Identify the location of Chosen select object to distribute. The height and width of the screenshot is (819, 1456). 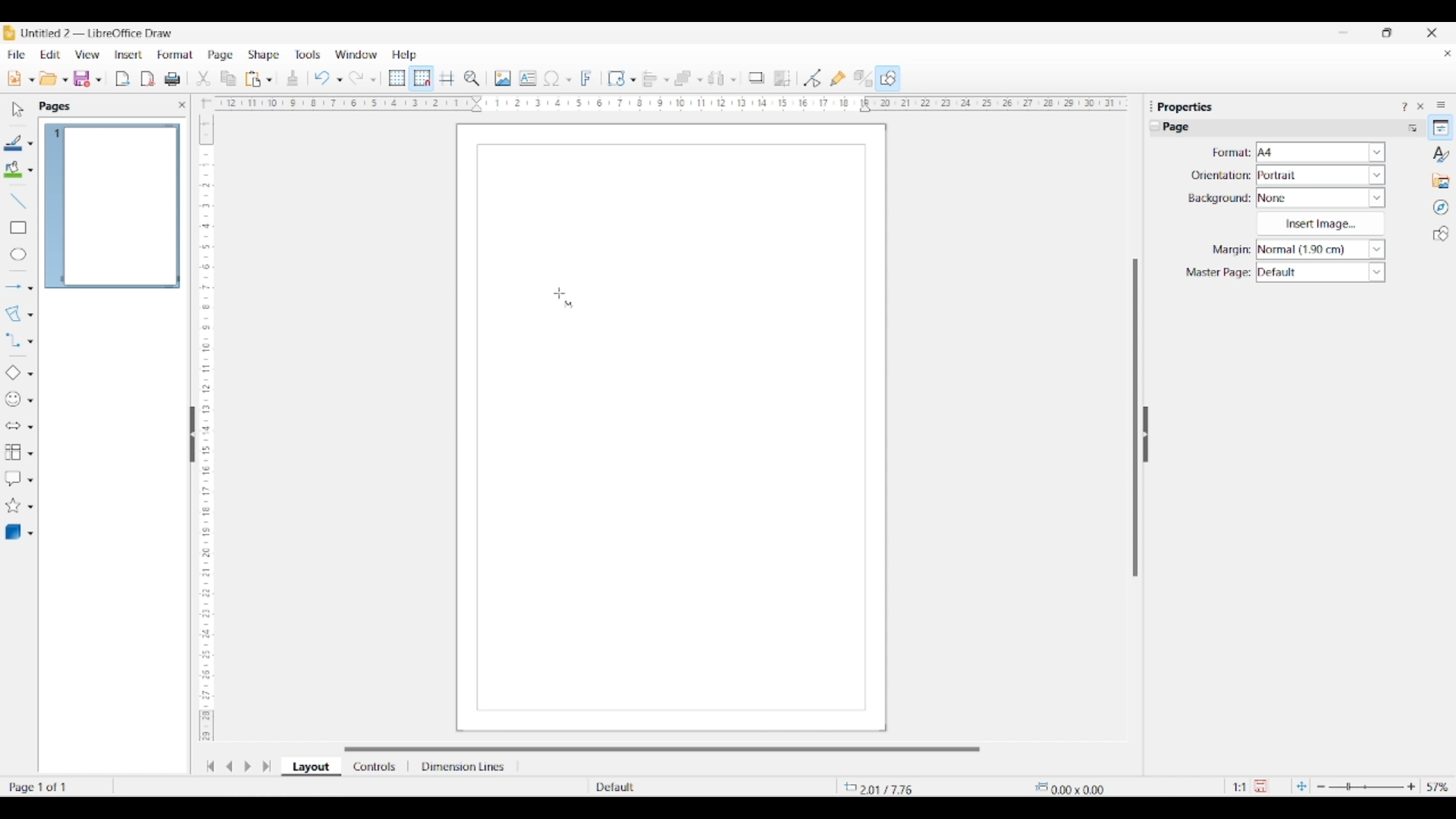
(717, 78).